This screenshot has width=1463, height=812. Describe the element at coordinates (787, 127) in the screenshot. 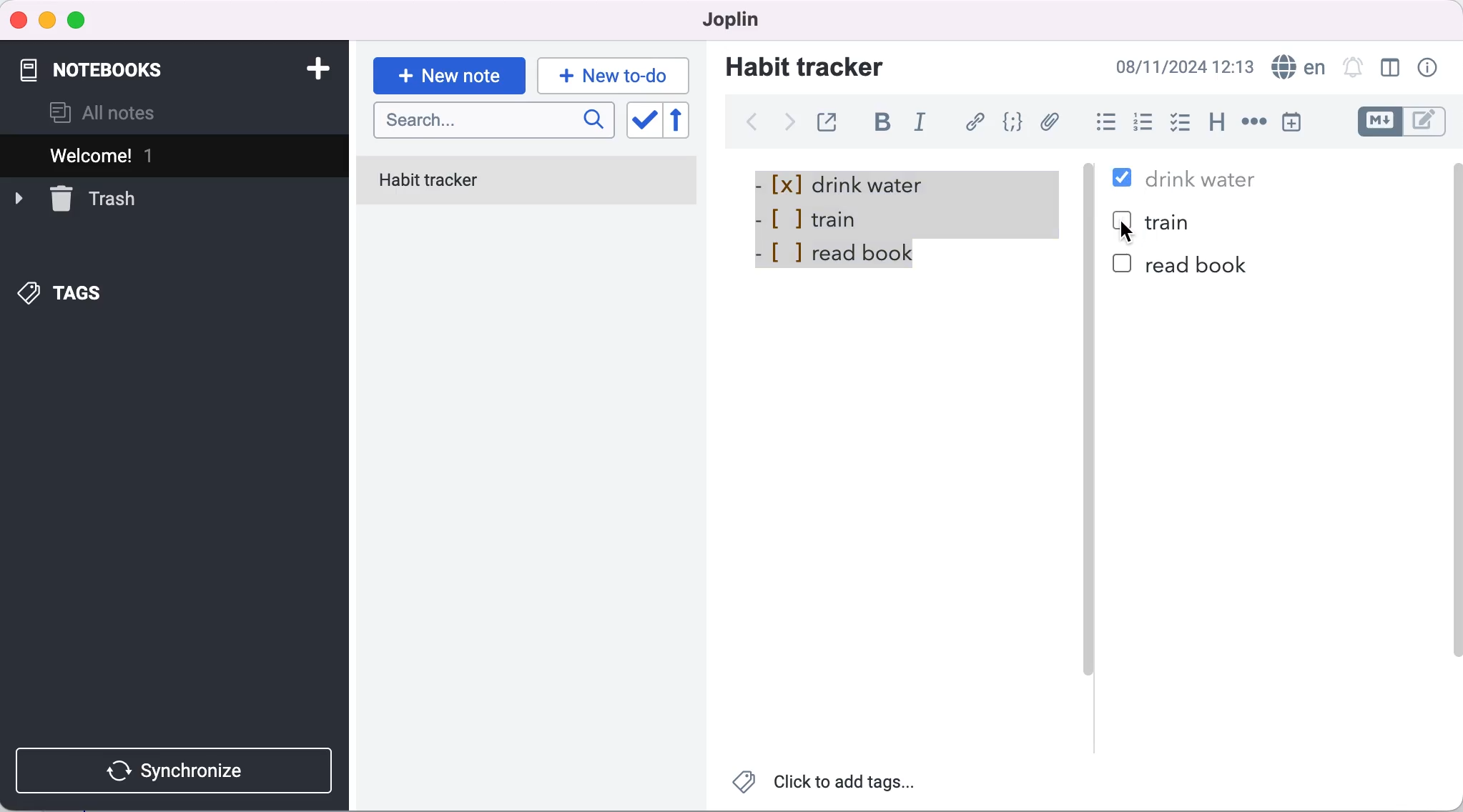

I see `forward` at that location.